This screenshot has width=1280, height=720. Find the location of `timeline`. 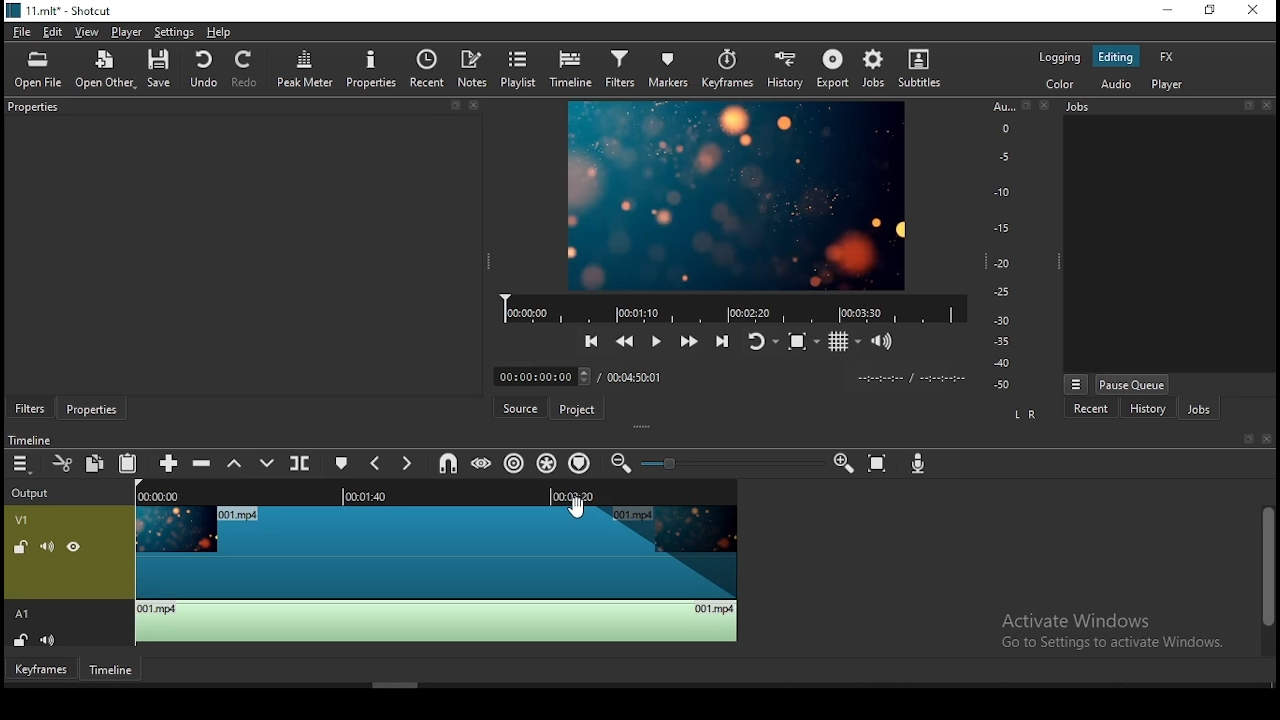

timeline is located at coordinates (574, 69).